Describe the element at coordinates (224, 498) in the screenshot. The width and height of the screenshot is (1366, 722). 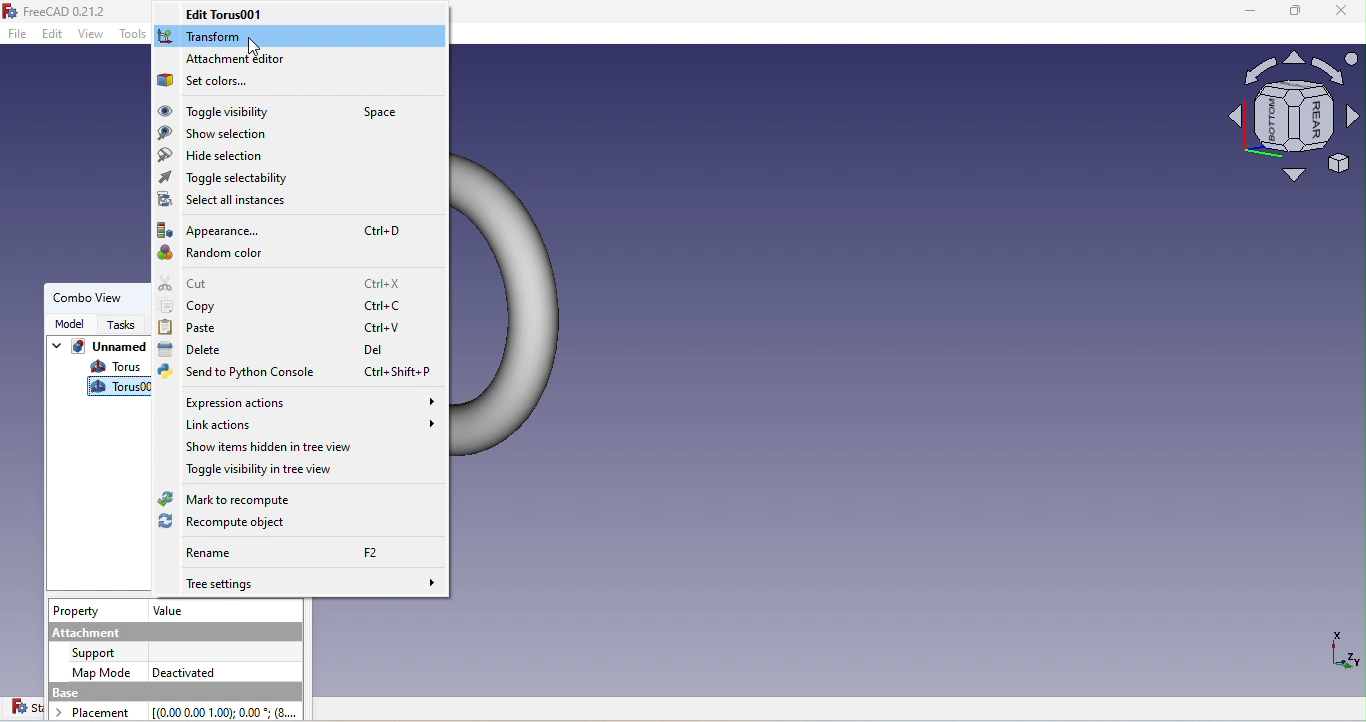
I see `Mark to recompute` at that location.